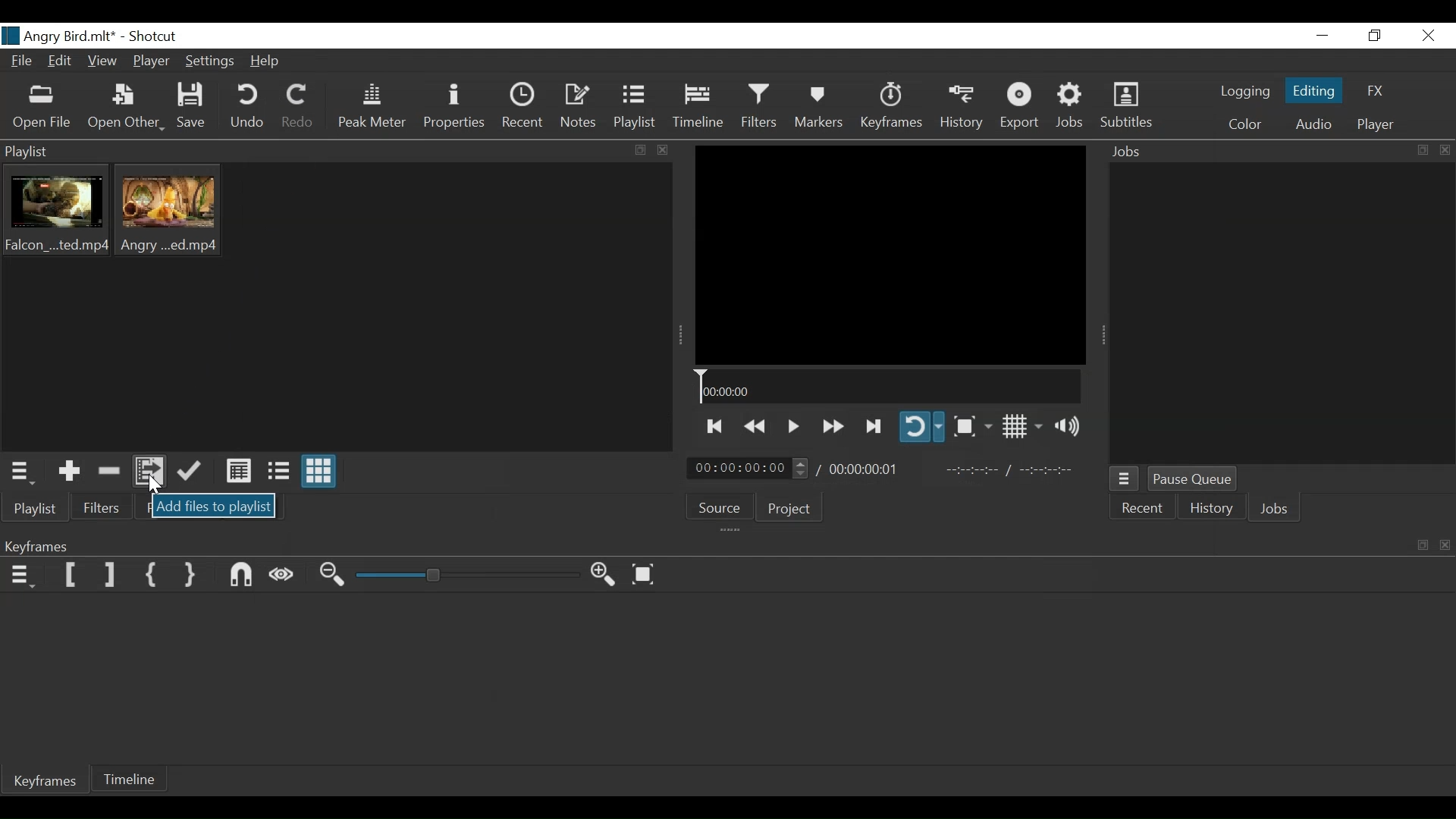 The image size is (1456, 819). What do you see at coordinates (1240, 93) in the screenshot?
I see `logging` at bounding box center [1240, 93].